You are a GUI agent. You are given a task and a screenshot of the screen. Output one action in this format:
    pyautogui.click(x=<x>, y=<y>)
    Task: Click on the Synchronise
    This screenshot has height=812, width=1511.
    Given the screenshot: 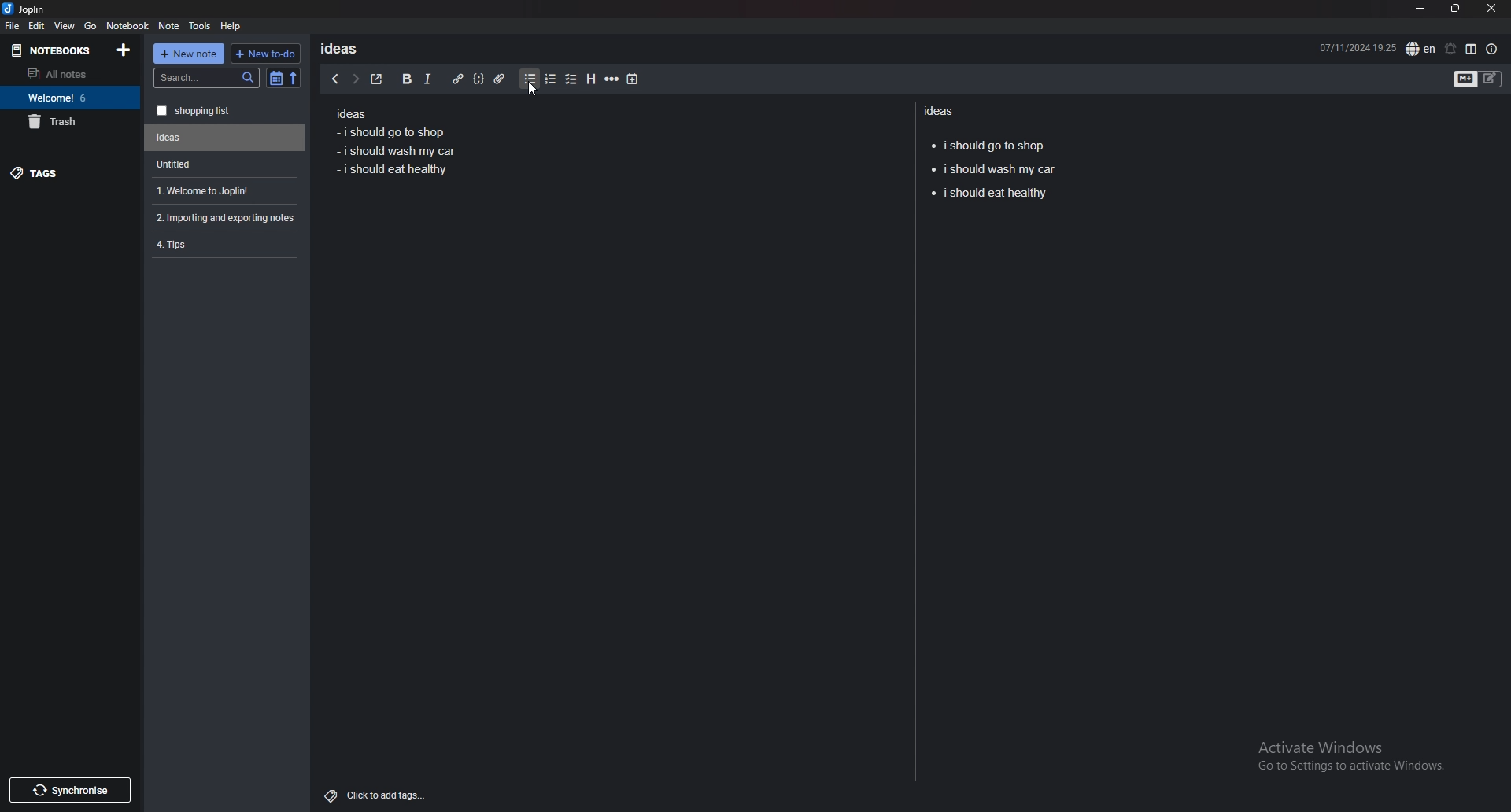 What is the action you would take?
    pyautogui.click(x=69, y=790)
    